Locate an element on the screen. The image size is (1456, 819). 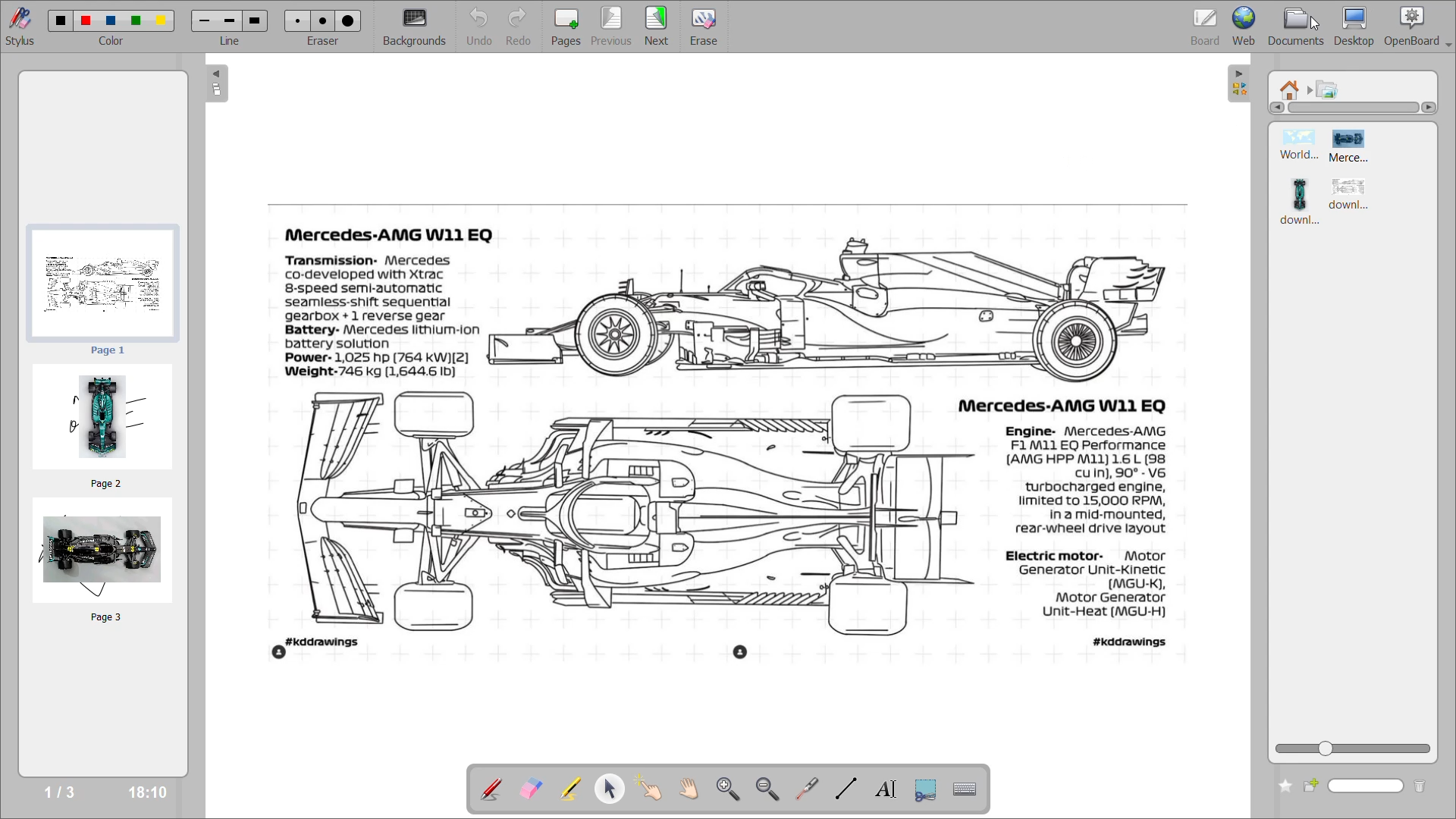
desktop is located at coordinates (1354, 24).